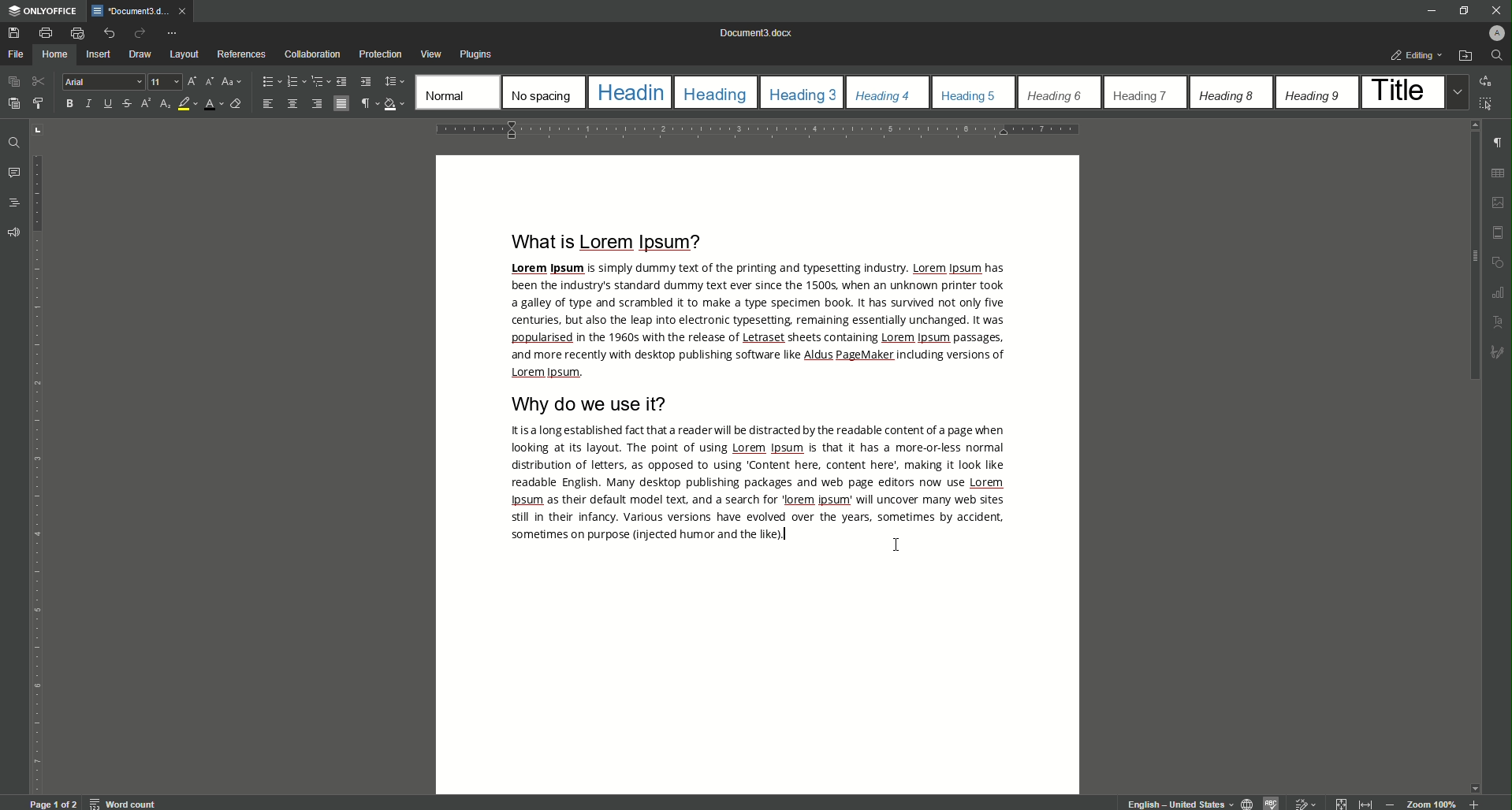  What do you see at coordinates (631, 93) in the screenshot?
I see `Heading` at bounding box center [631, 93].